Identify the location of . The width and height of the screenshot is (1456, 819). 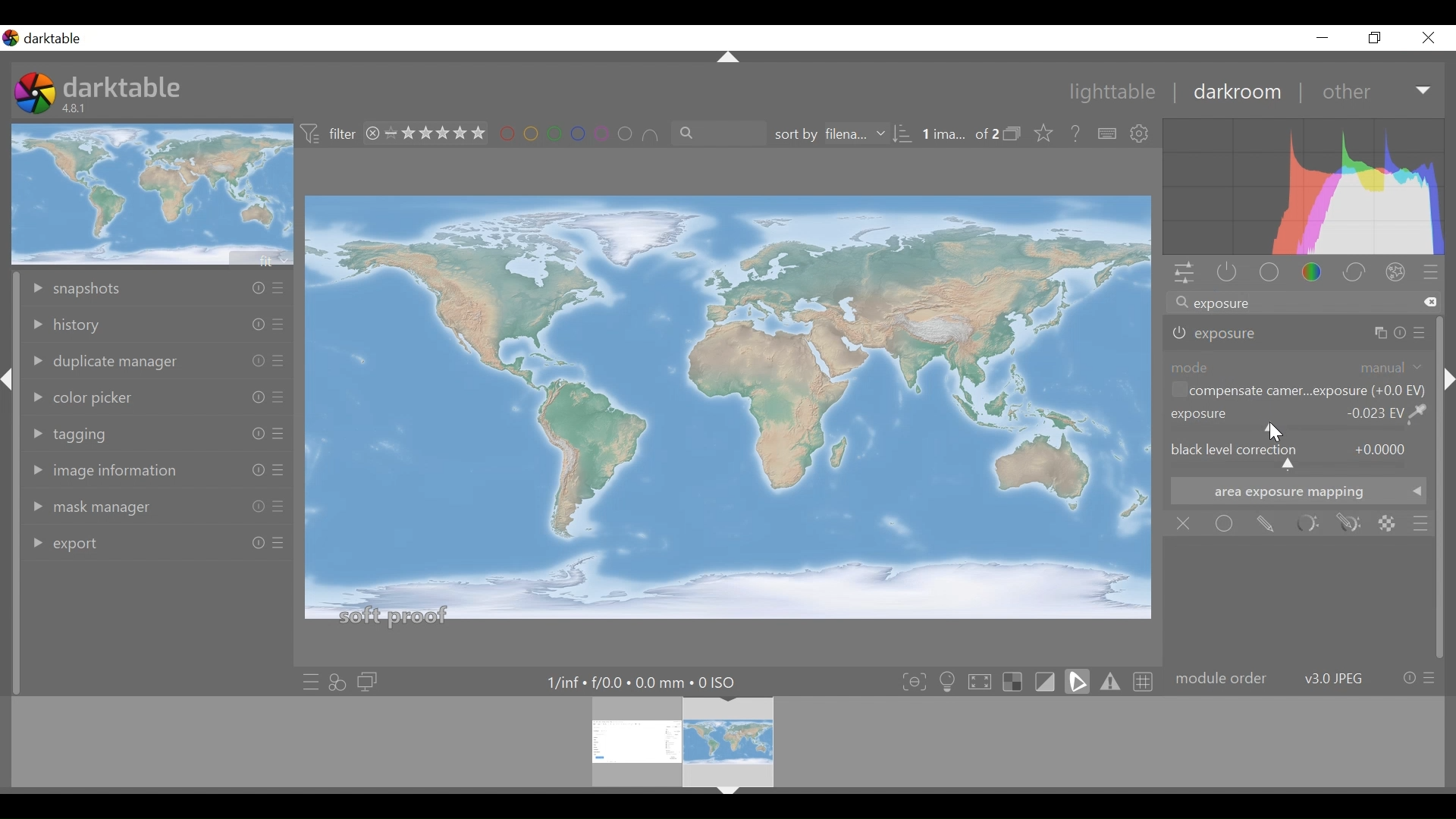
(253, 544).